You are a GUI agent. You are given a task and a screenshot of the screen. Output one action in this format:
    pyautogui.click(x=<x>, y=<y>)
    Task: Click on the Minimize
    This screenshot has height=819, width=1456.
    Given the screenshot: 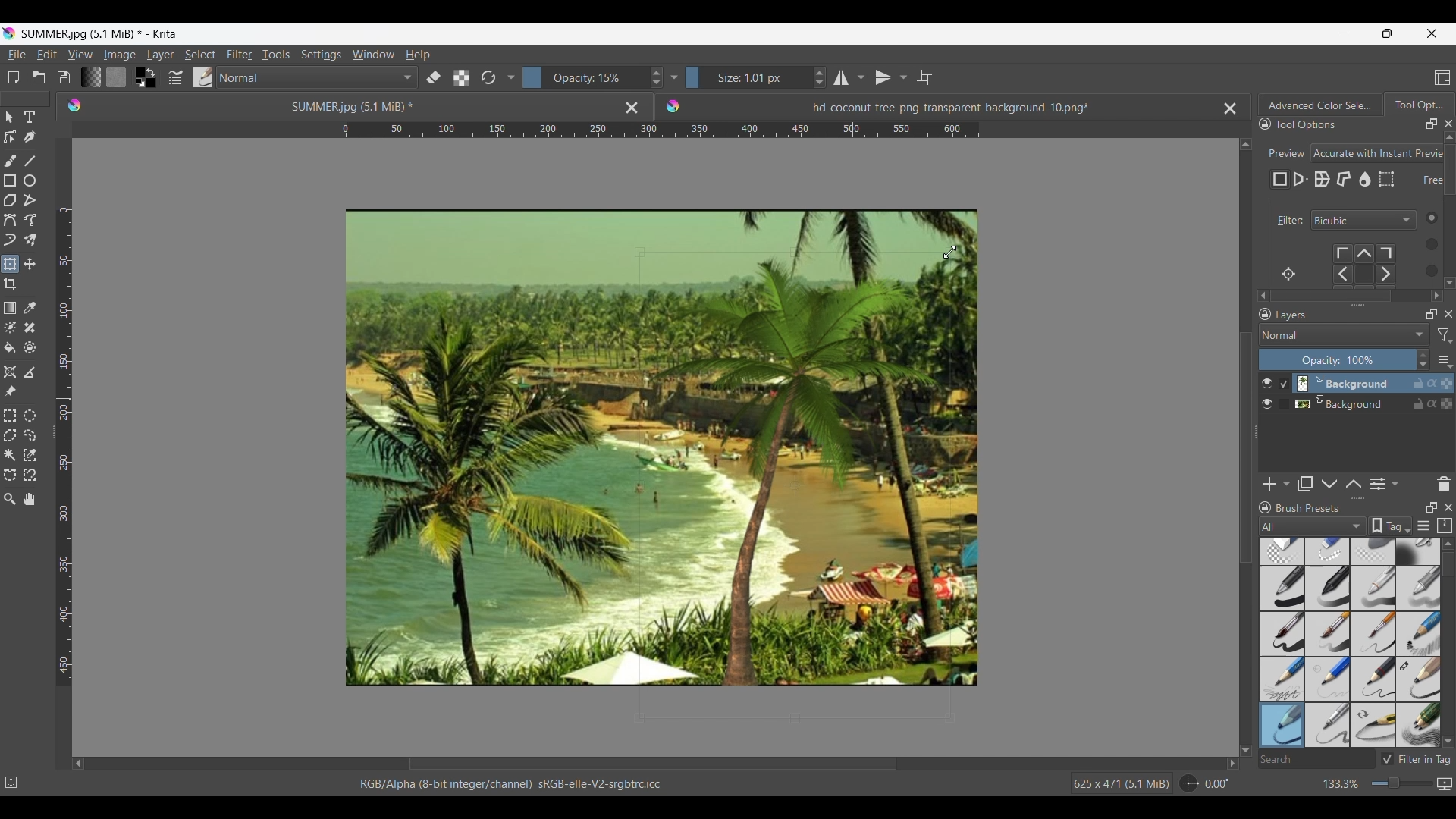 What is the action you would take?
    pyautogui.click(x=1343, y=33)
    